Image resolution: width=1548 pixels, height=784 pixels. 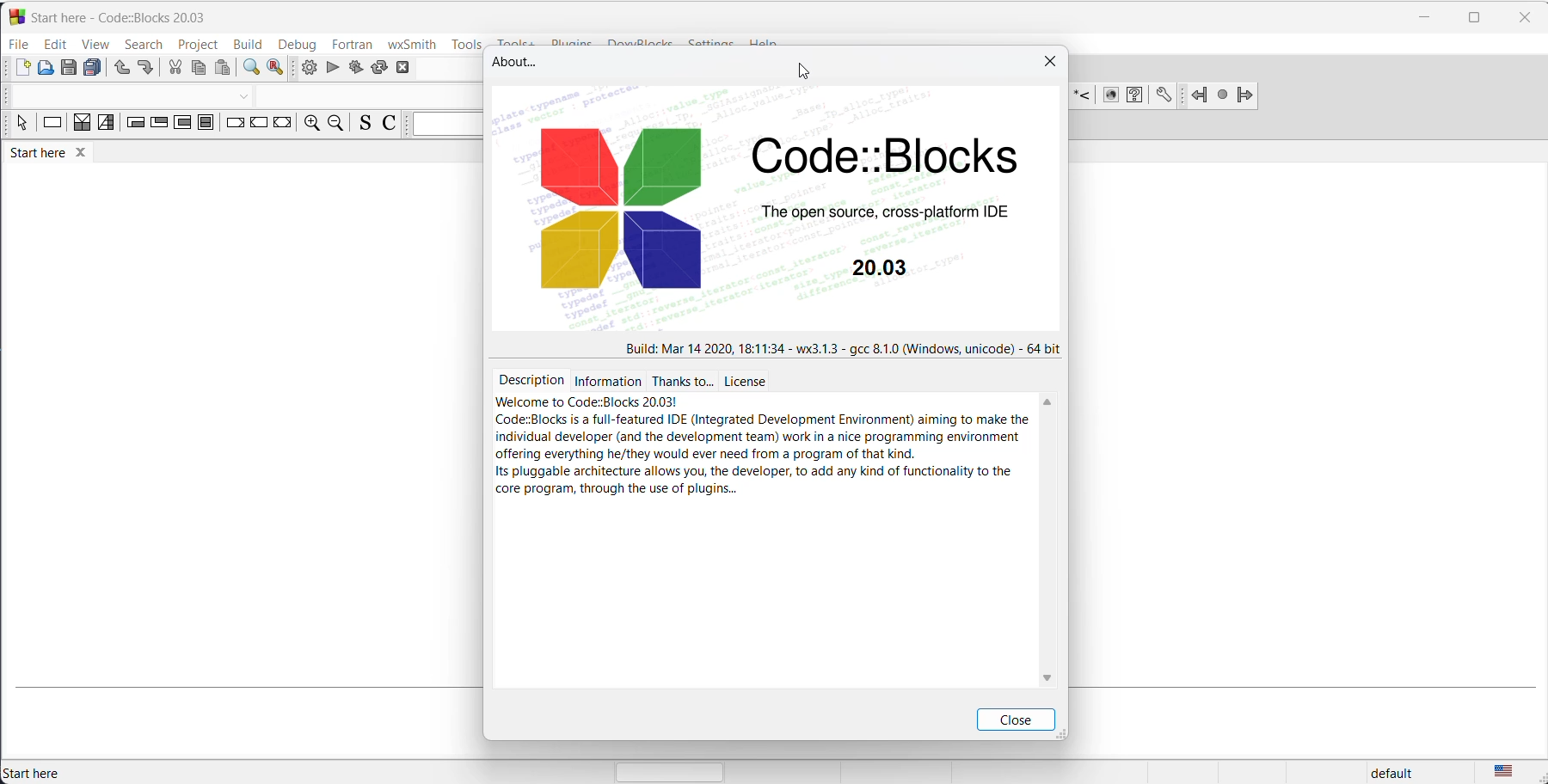 I want to click on find, so click(x=250, y=70).